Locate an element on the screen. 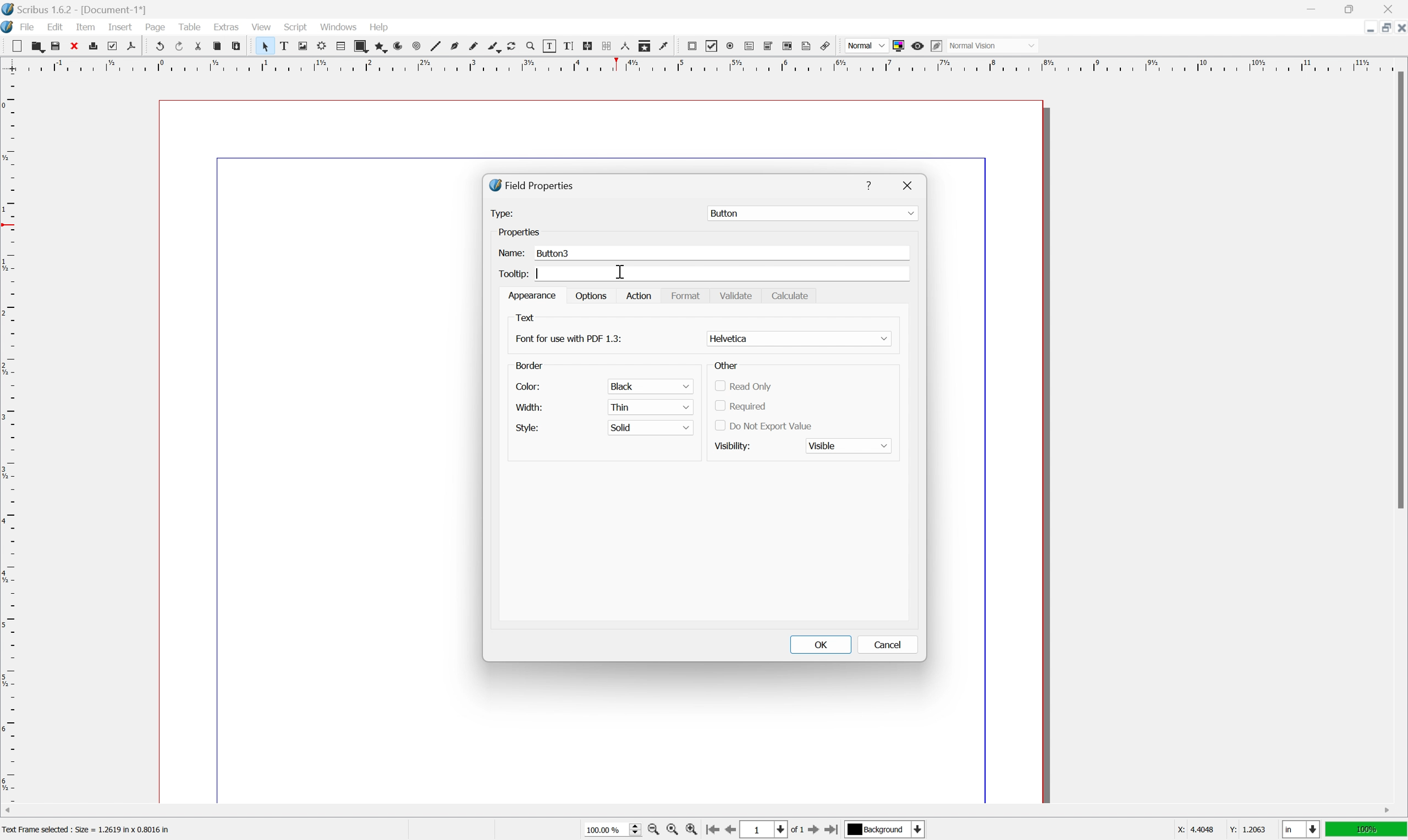  table is located at coordinates (190, 27).